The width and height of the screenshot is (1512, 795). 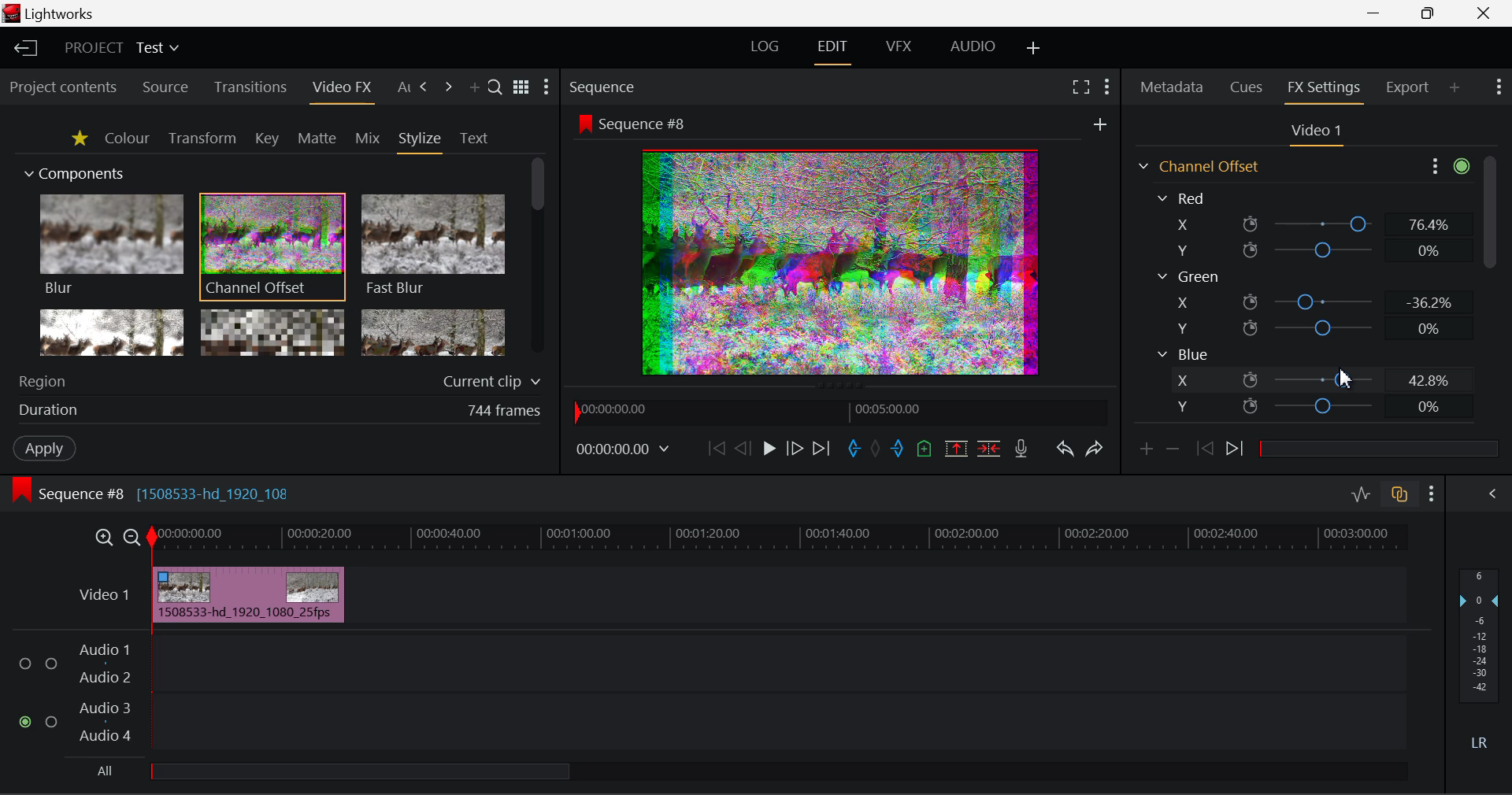 I want to click on Add Panel, so click(x=1454, y=88).